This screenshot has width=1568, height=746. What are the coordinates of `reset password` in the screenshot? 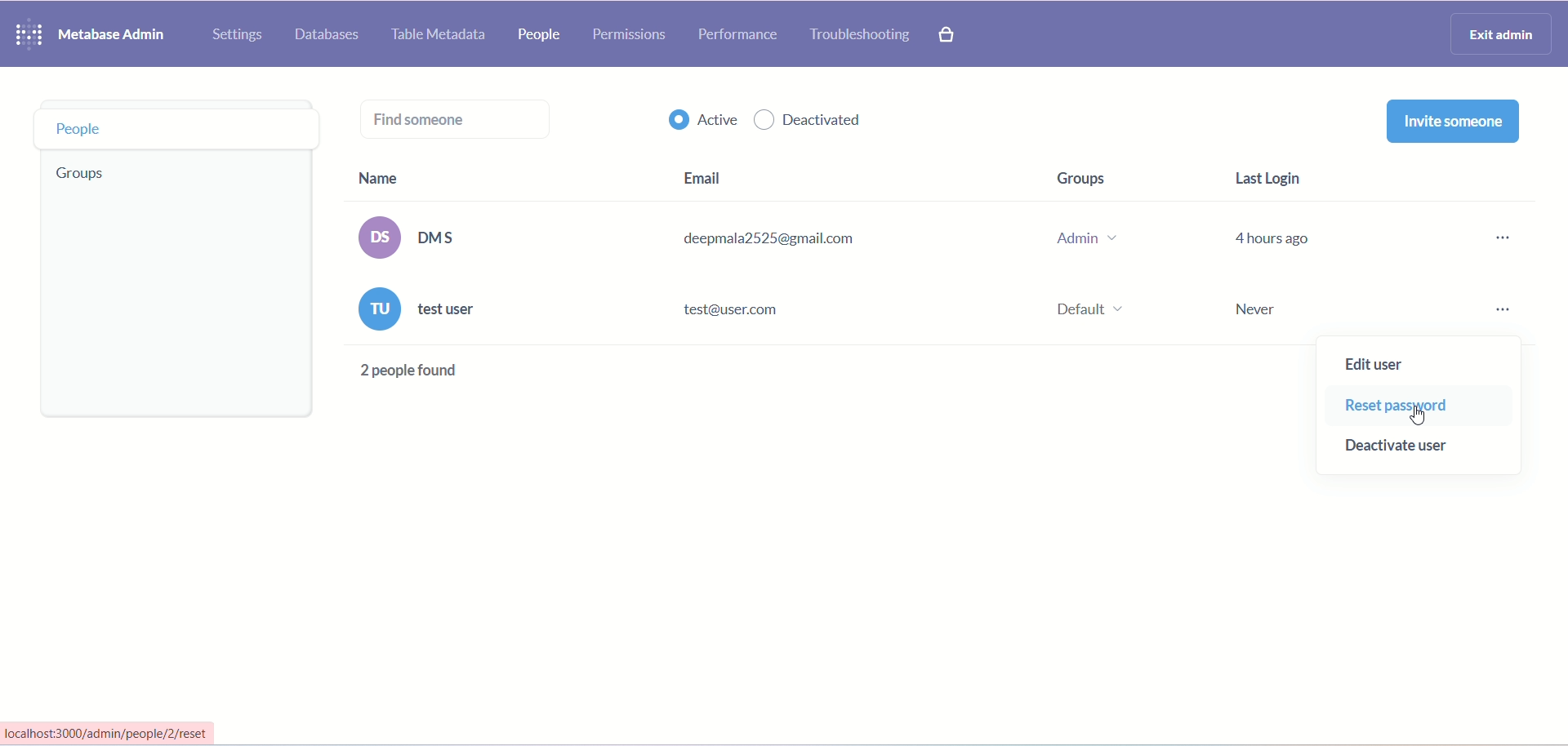 It's located at (1397, 407).